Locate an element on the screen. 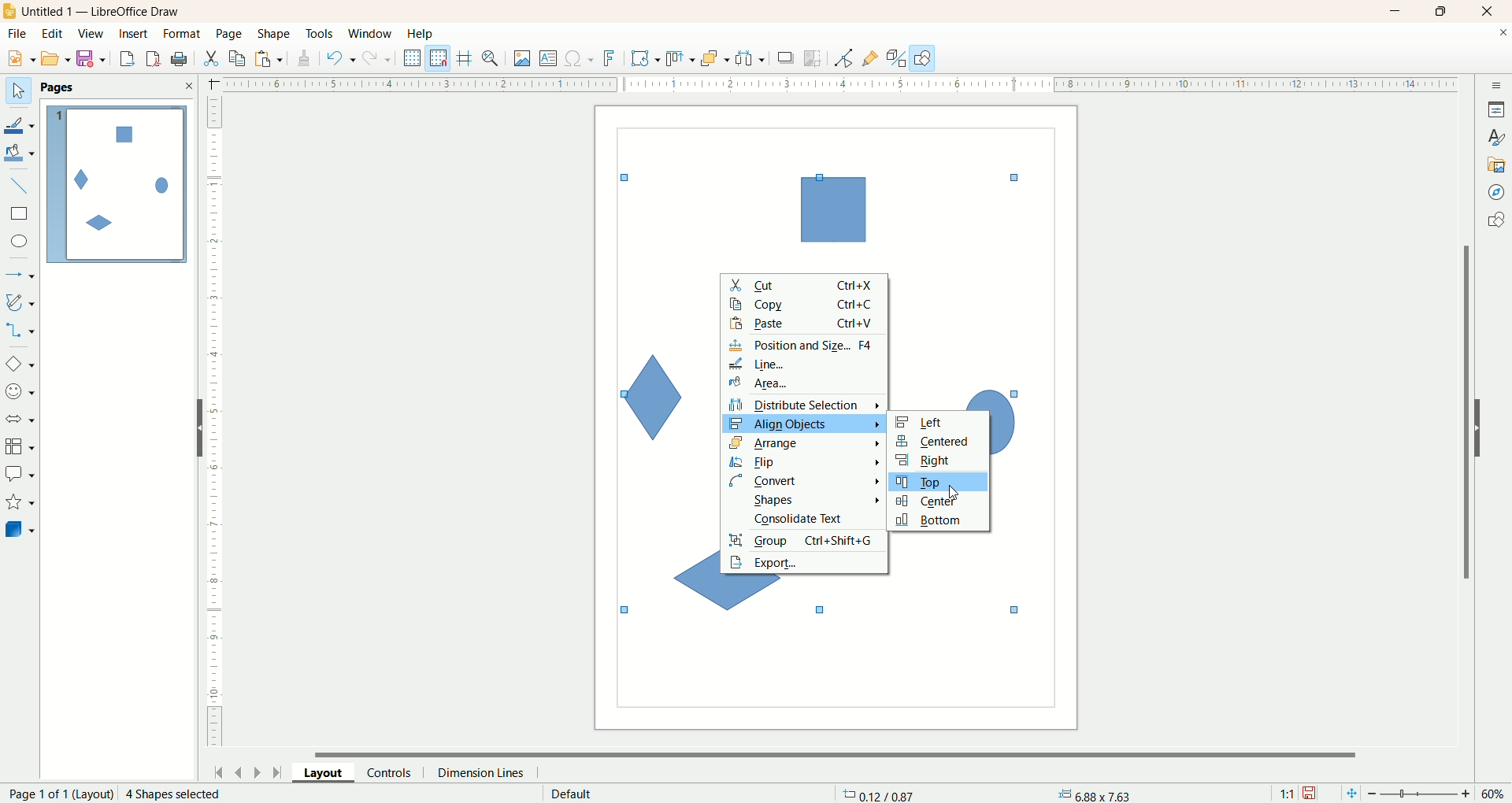 The height and width of the screenshot is (803, 1512). crop image is located at coordinates (813, 58).